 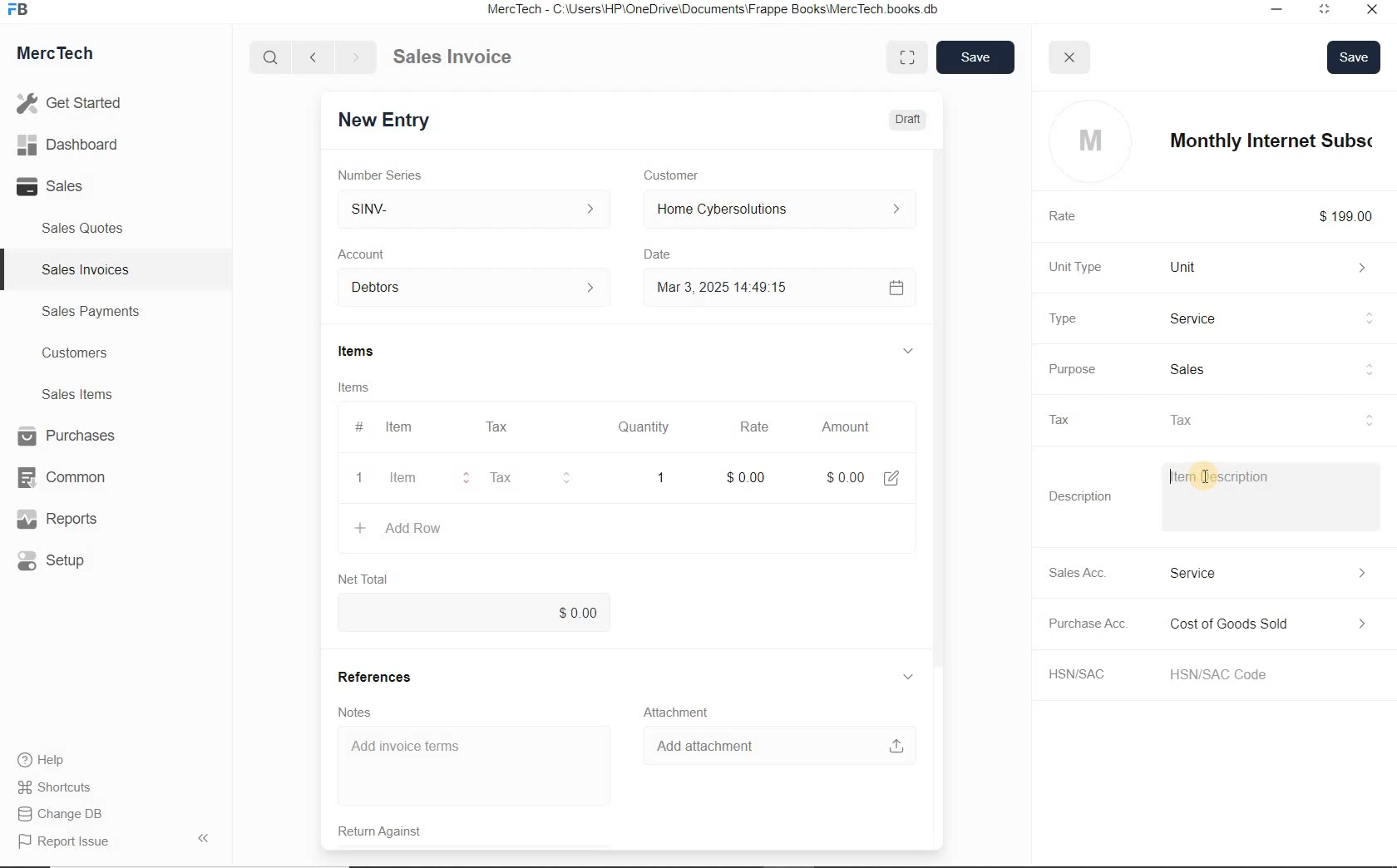 What do you see at coordinates (540, 427) in the screenshot?
I see `#` at bounding box center [540, 427].